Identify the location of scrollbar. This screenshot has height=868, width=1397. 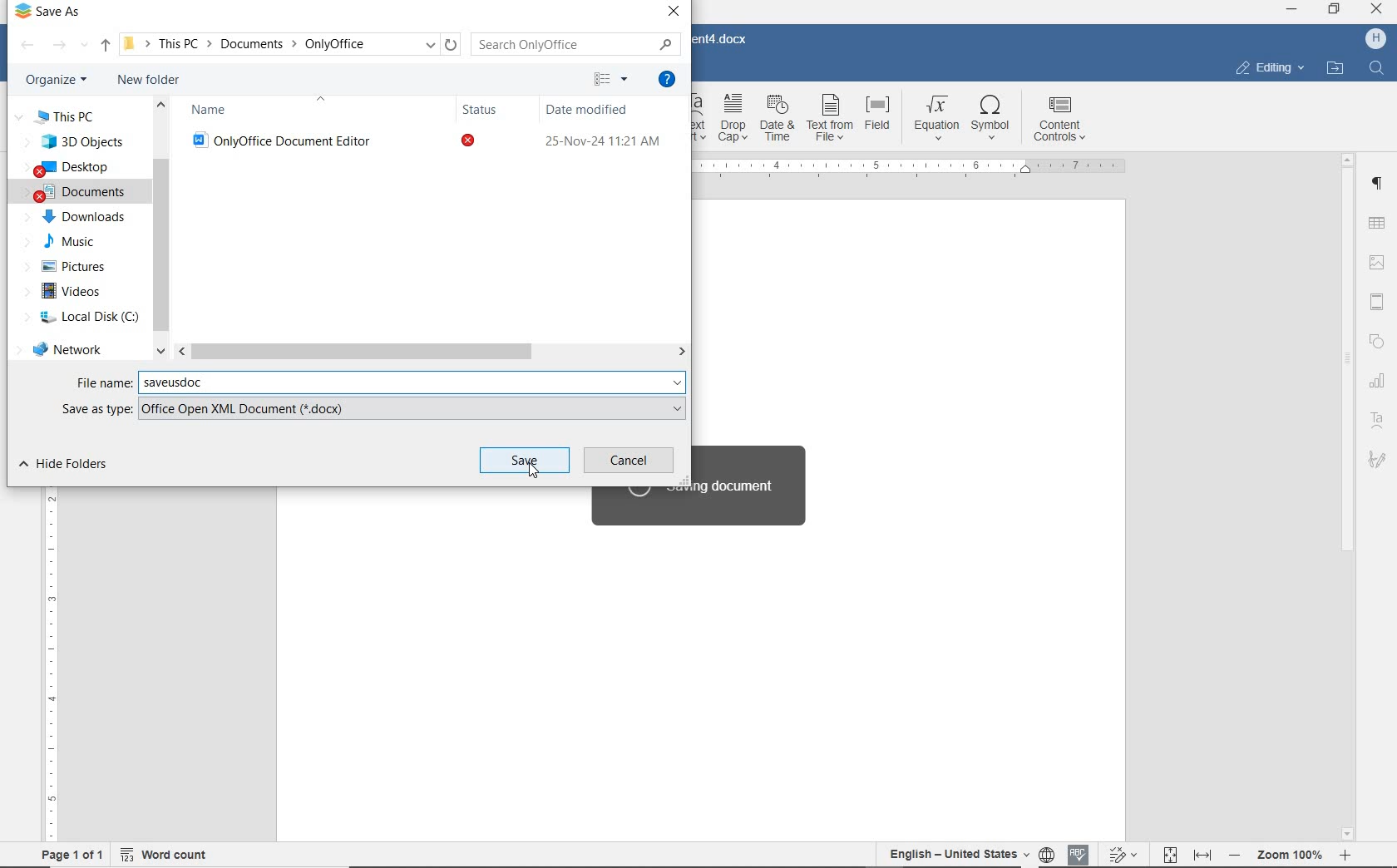
(434, 349).